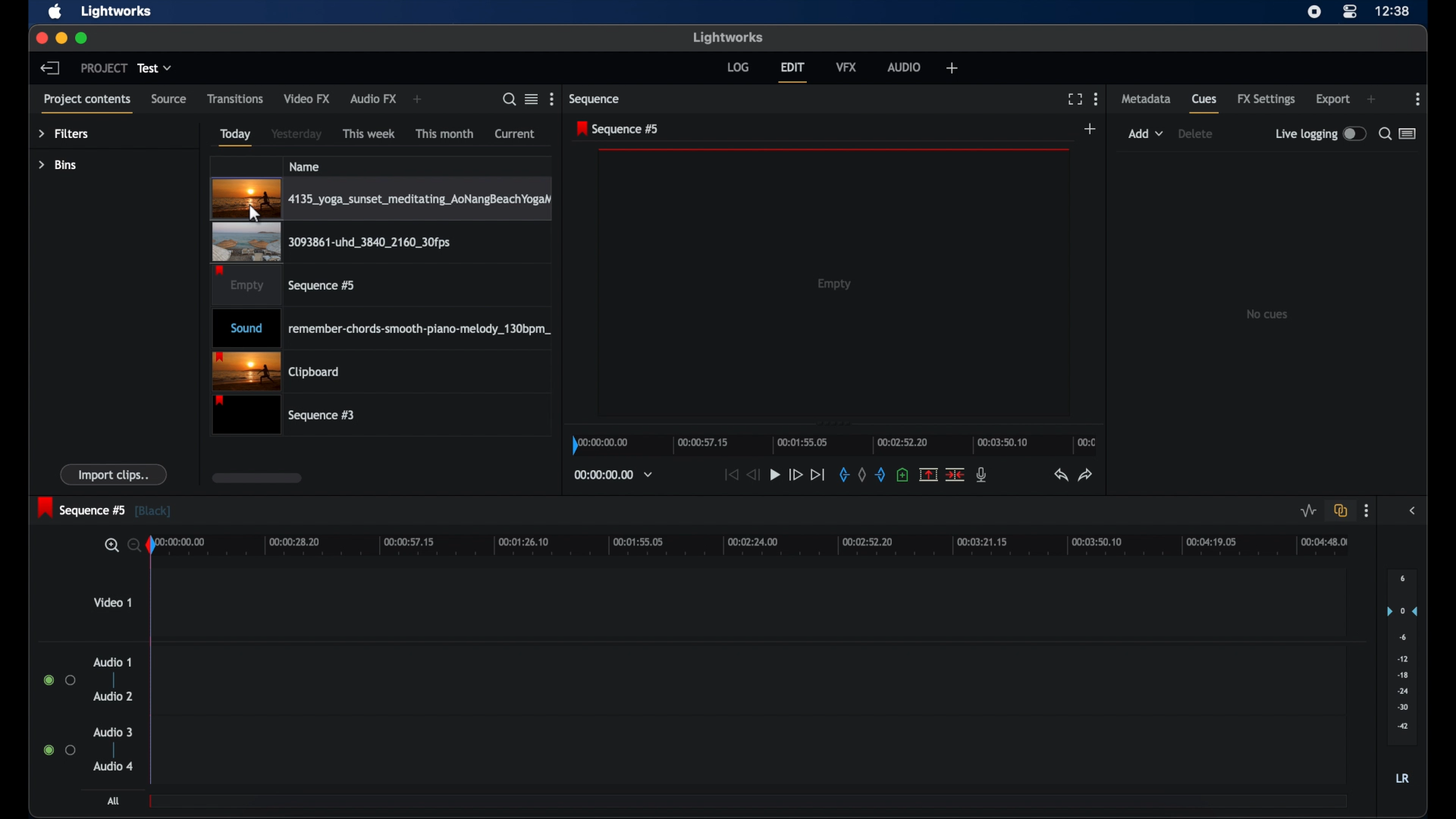  Describe the element at coordinates (928, 473) in the screenshot. I see `` at that location.